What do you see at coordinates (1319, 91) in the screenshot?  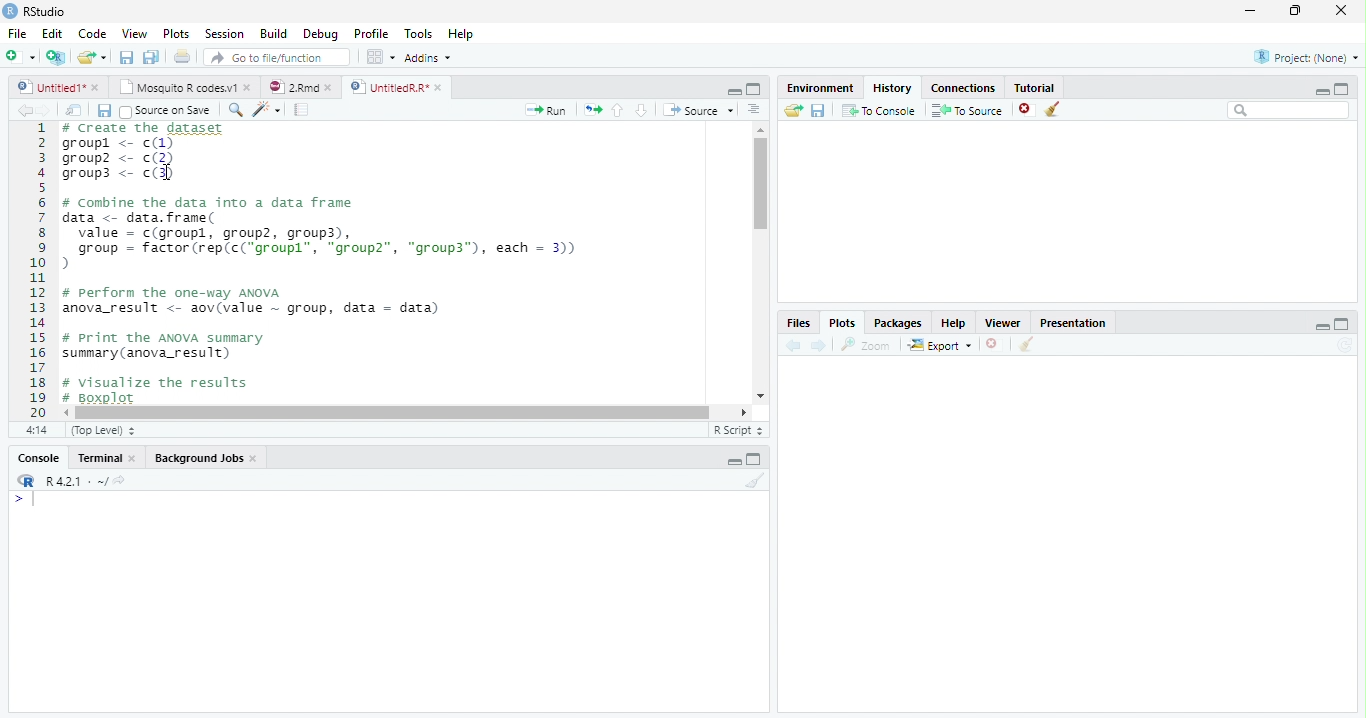 I see `Minimize` at bounding box center [1319, 91].